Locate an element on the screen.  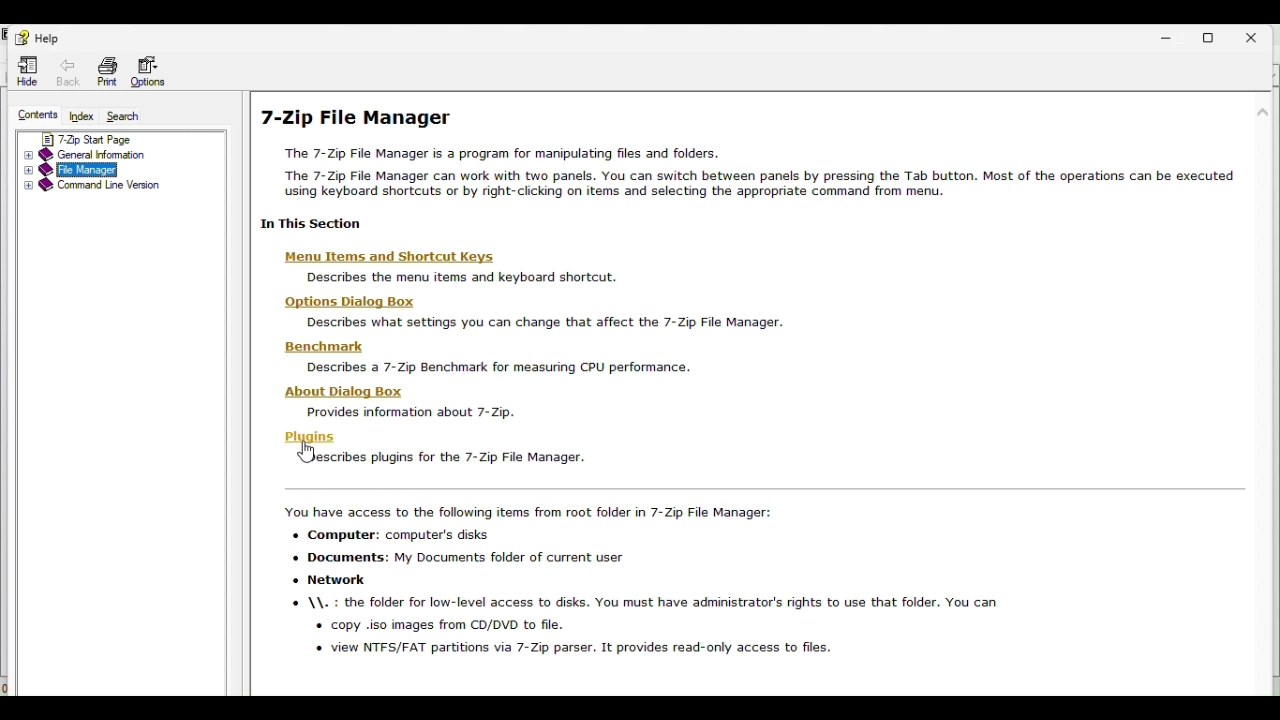
Options Dialog Box is located at coordinates (345, 302).